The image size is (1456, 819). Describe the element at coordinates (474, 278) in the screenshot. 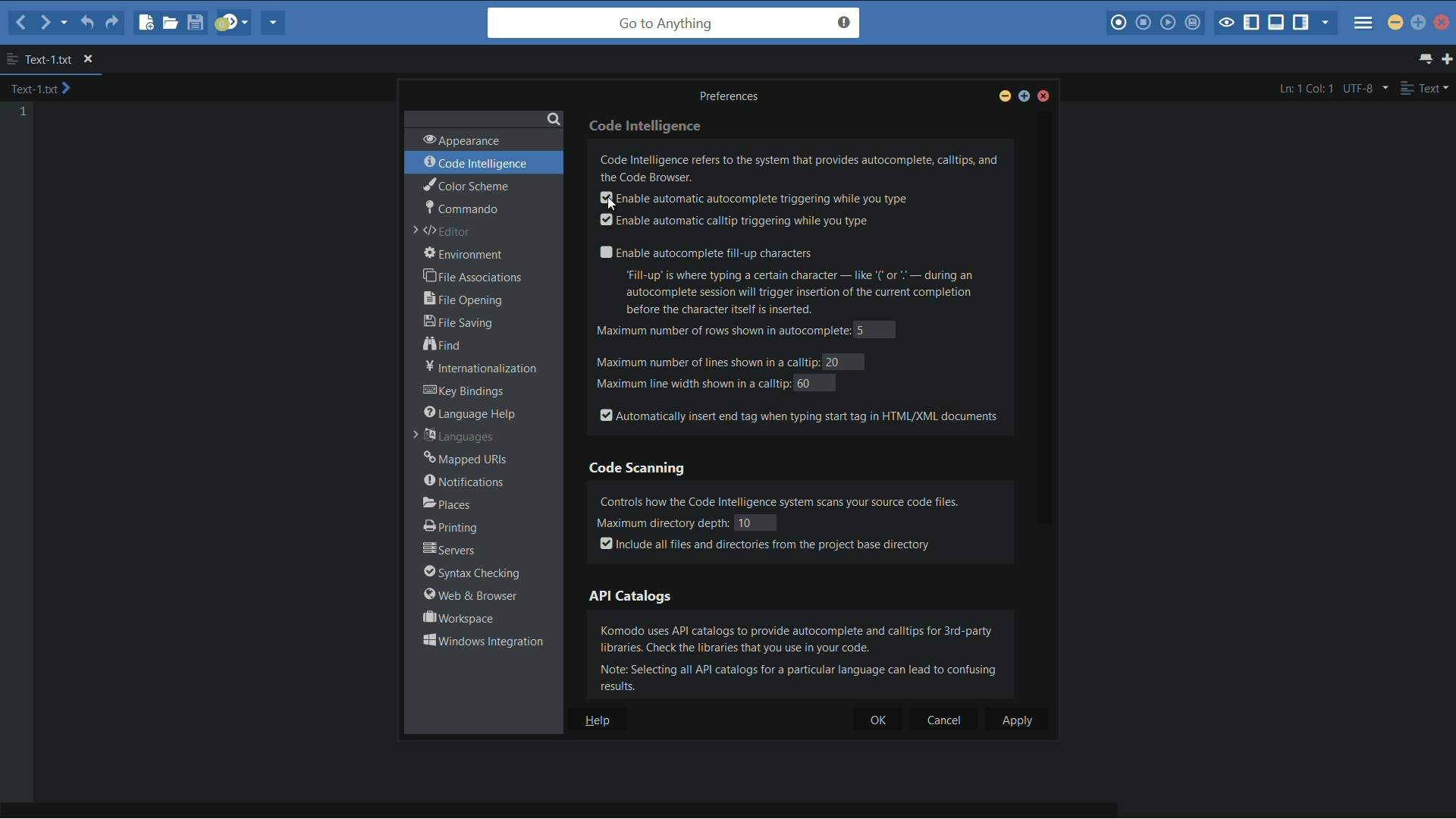

I see `file associations` at that location.